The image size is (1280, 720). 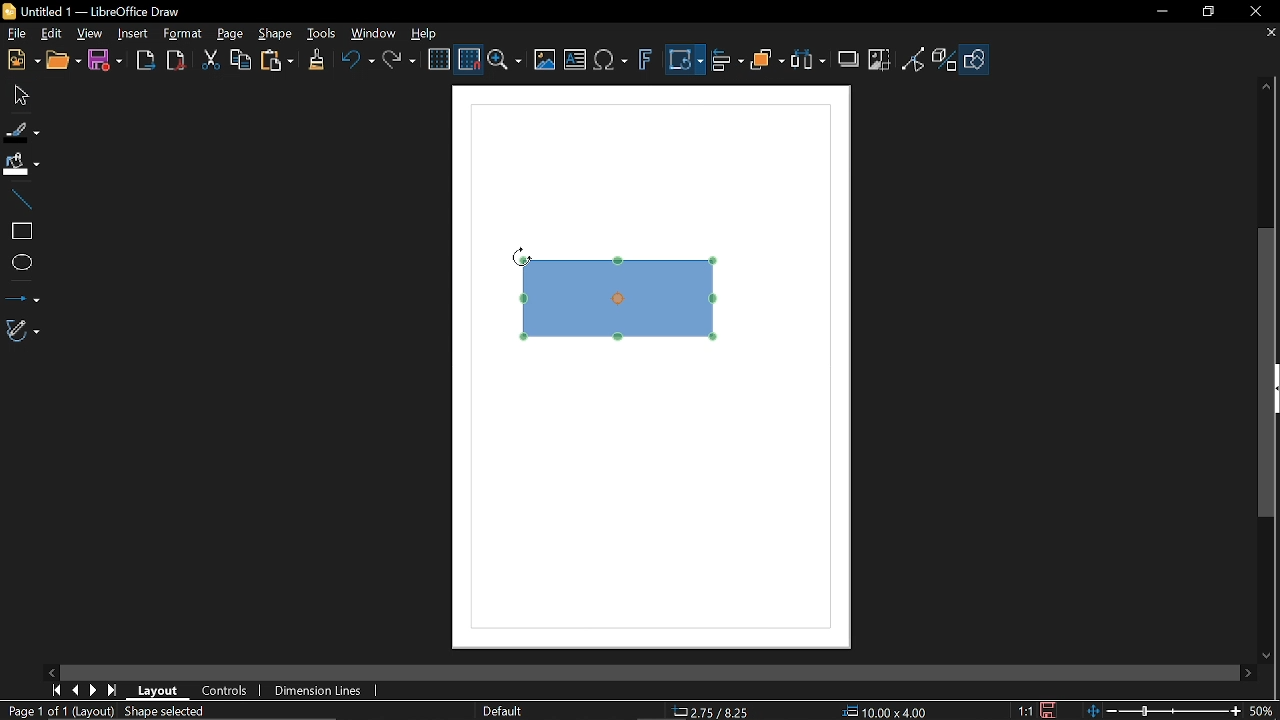 What do you see at coordinates (50, 34) in the screenshot?
I see `Edit` at bounding box center [50, 34].